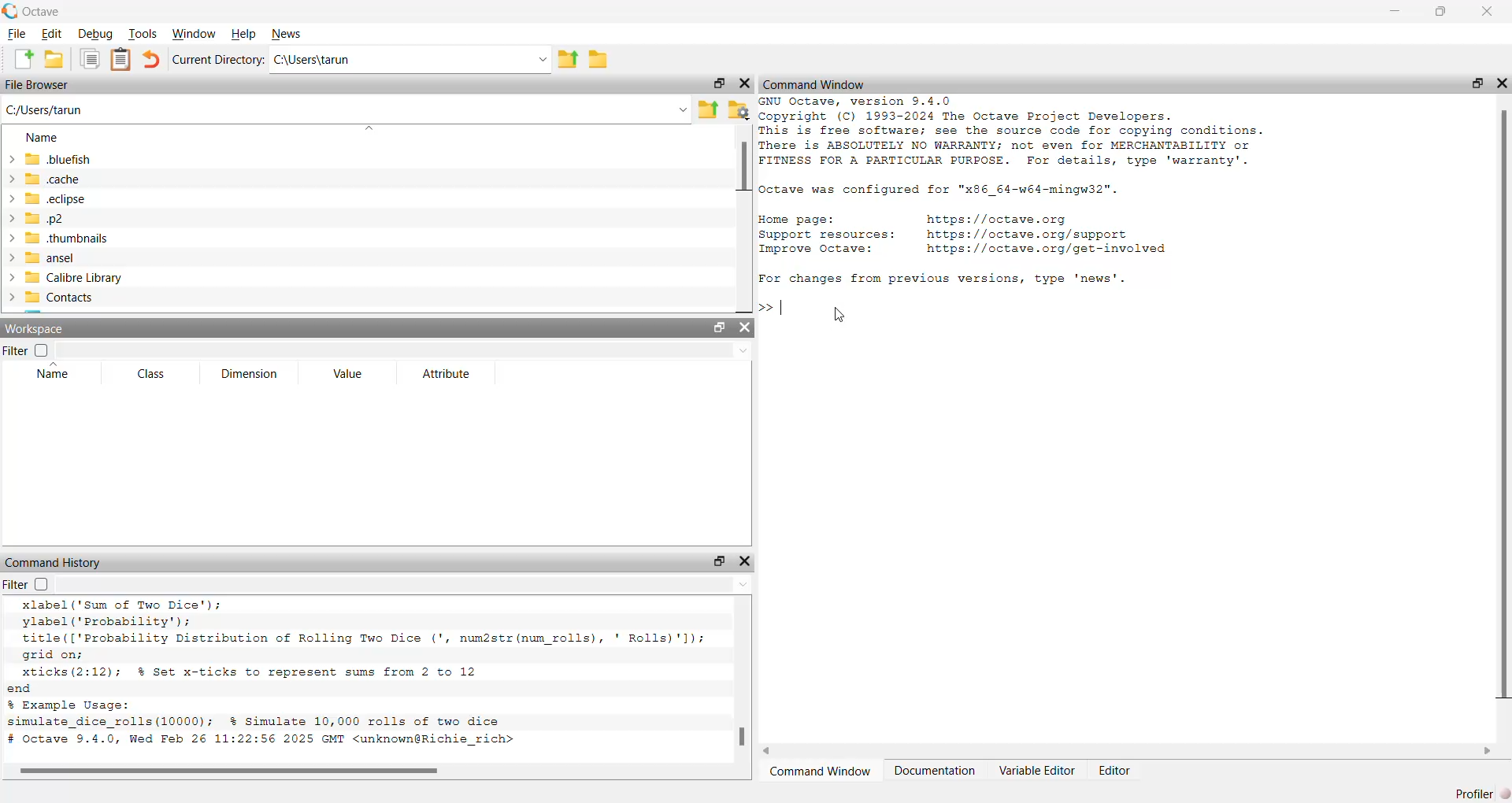 The image size is (1512, 803). What do you see at coordinates (717, 560) in the screenshot?
I see `Maximize` at bounding box center [717, 560].